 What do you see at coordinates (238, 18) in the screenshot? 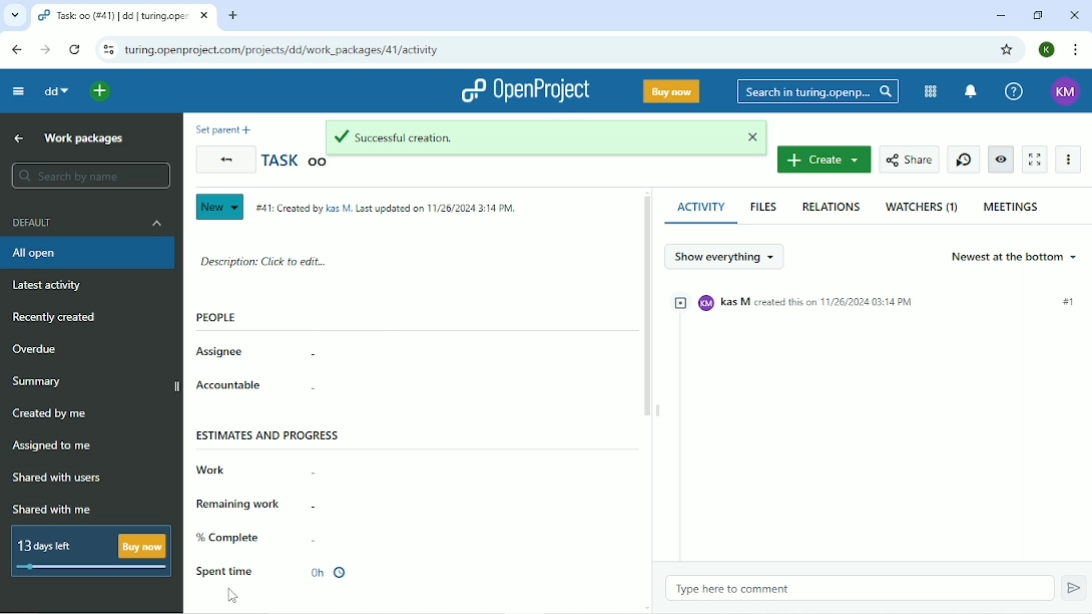
I see `new tab` at bounding box center [238, 18].